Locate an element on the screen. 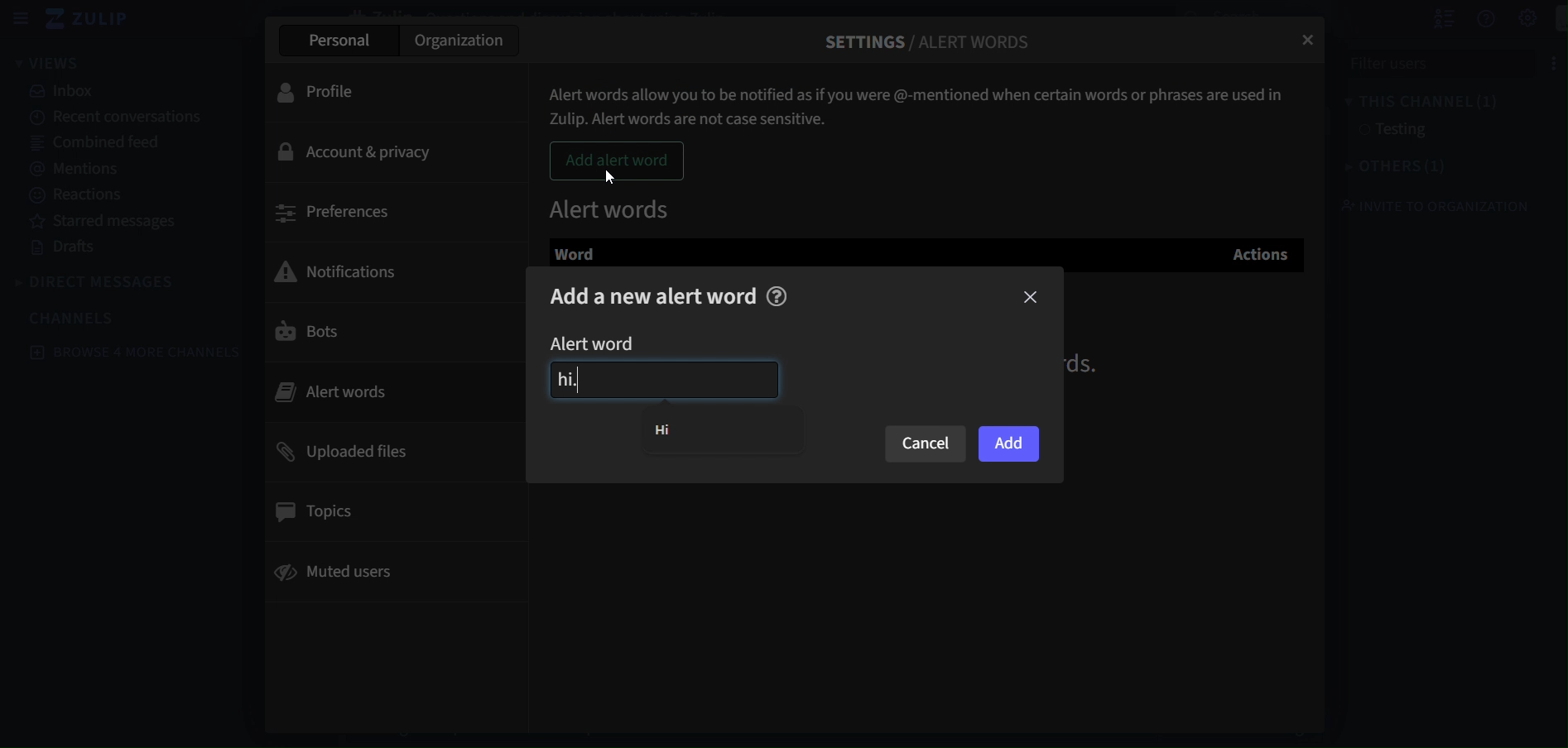 Image resolution: width=1568 pixels, height=748 pixels. hide sidebar is located at coordinates (22, 21).